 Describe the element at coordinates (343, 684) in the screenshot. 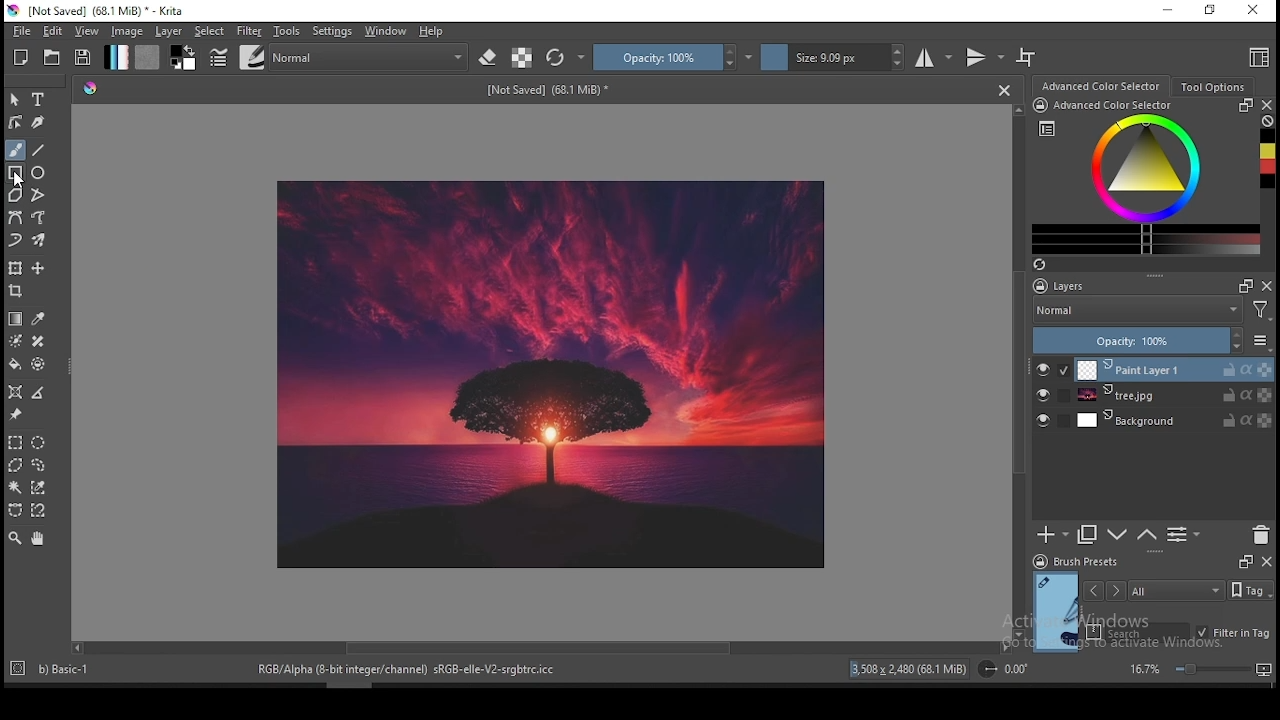

I see `scroll bar` at that location.